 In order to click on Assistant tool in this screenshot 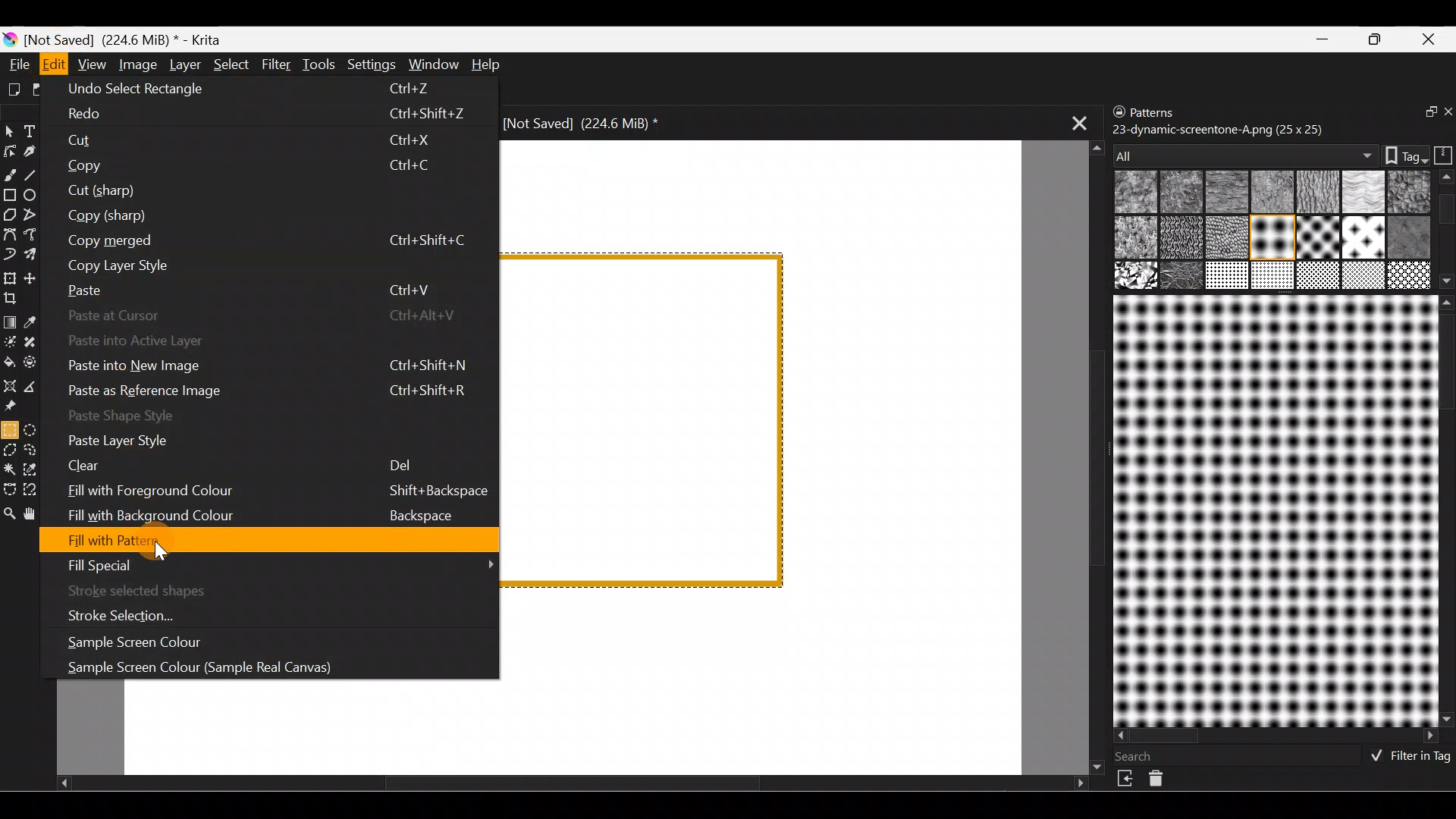, I will do `click(11, 384)`.